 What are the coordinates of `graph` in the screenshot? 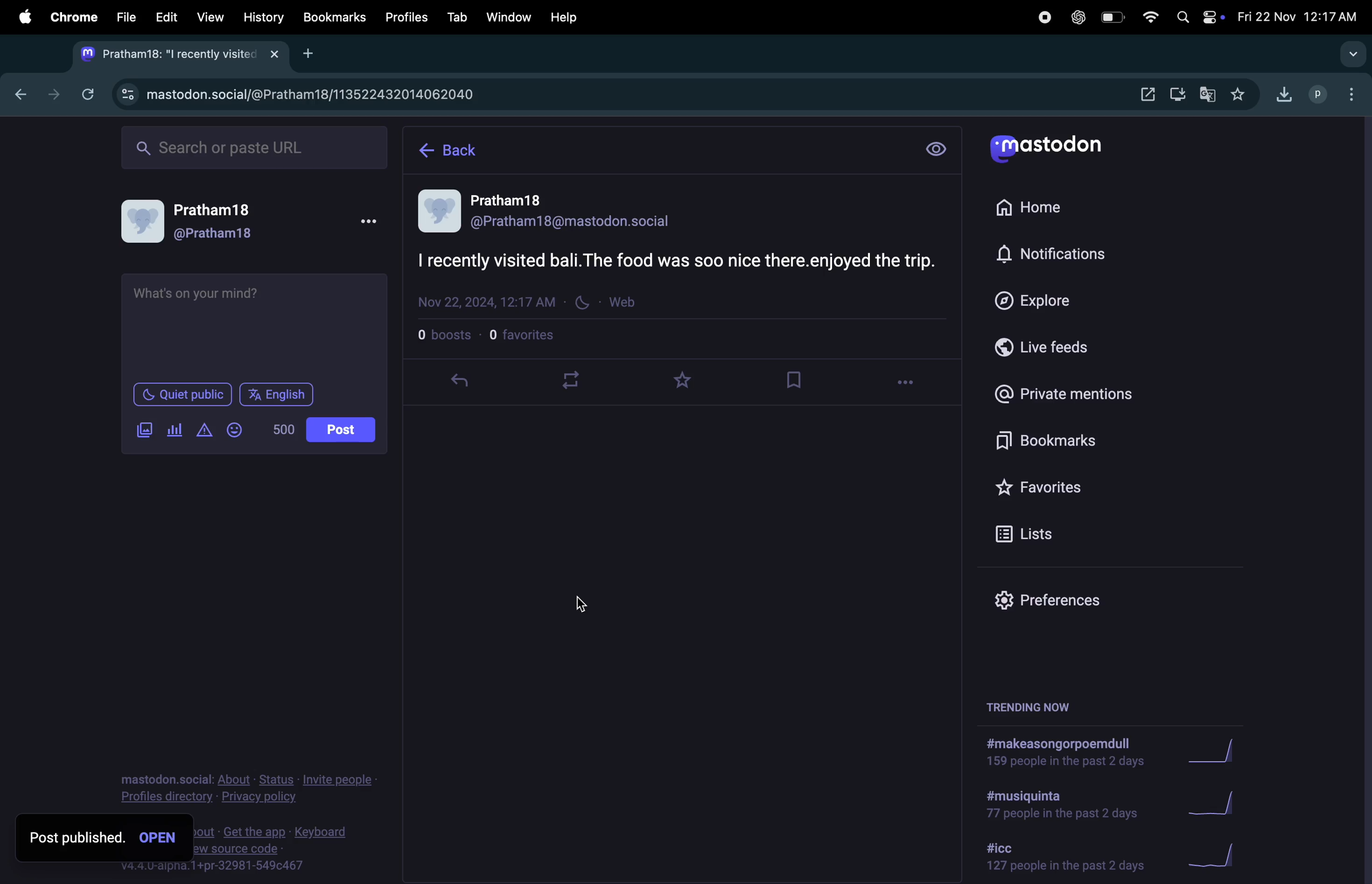 It's located at (1219, 859).